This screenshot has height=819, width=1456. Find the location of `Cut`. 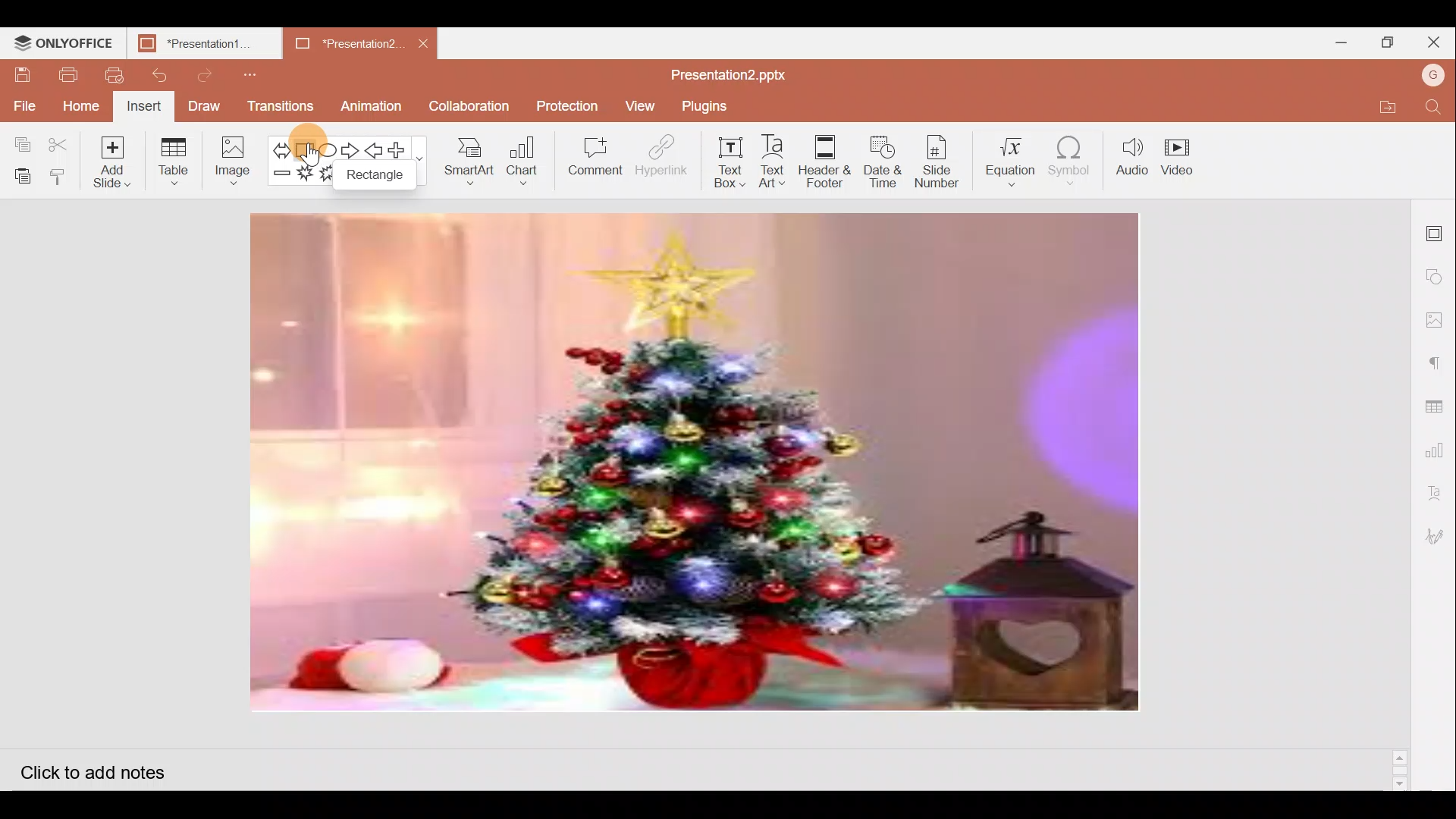

Cut is located at coordinates (61, 140).